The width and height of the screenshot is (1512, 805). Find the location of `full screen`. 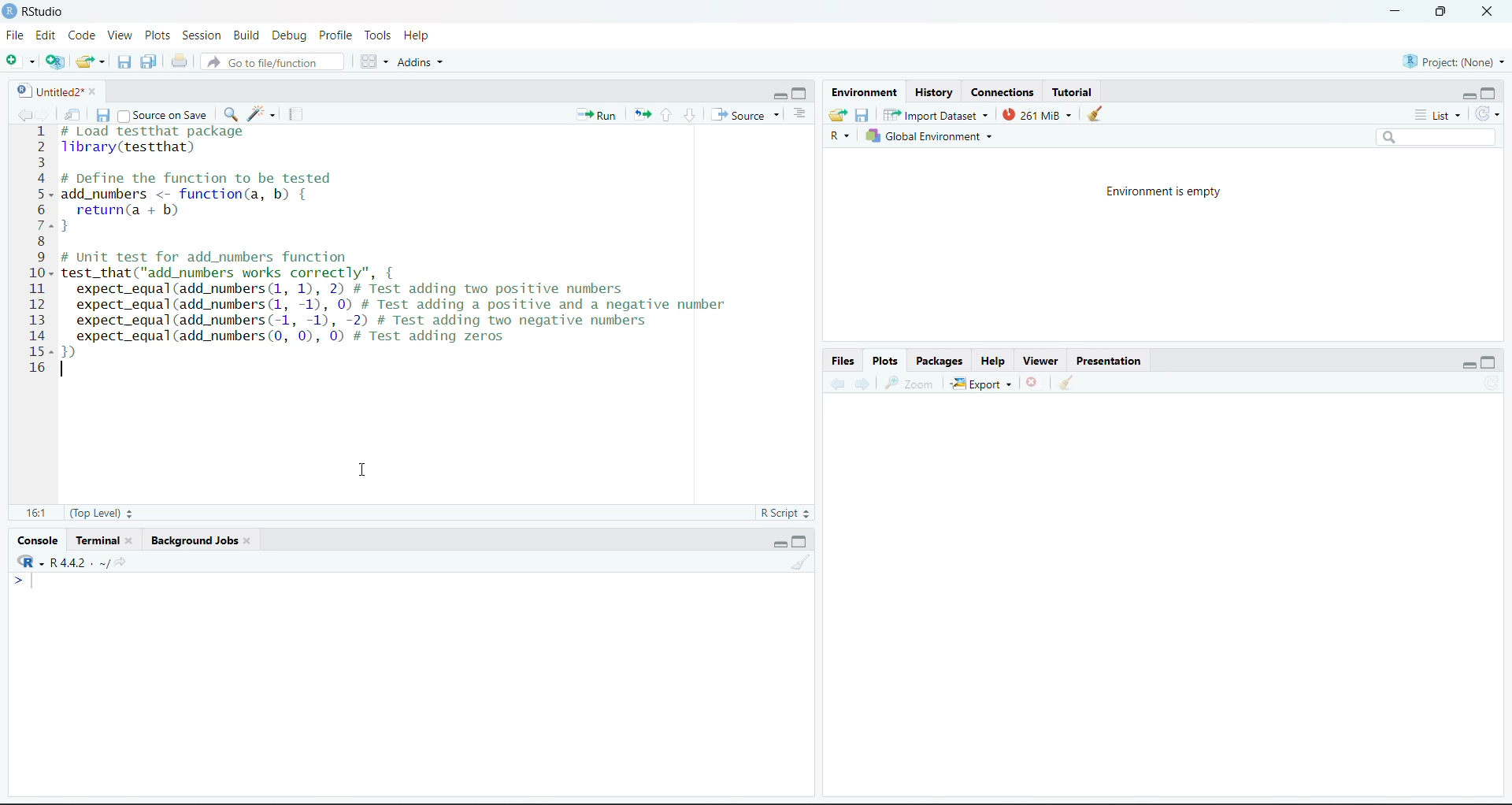

full screen is located at coordinates (1441, 13).